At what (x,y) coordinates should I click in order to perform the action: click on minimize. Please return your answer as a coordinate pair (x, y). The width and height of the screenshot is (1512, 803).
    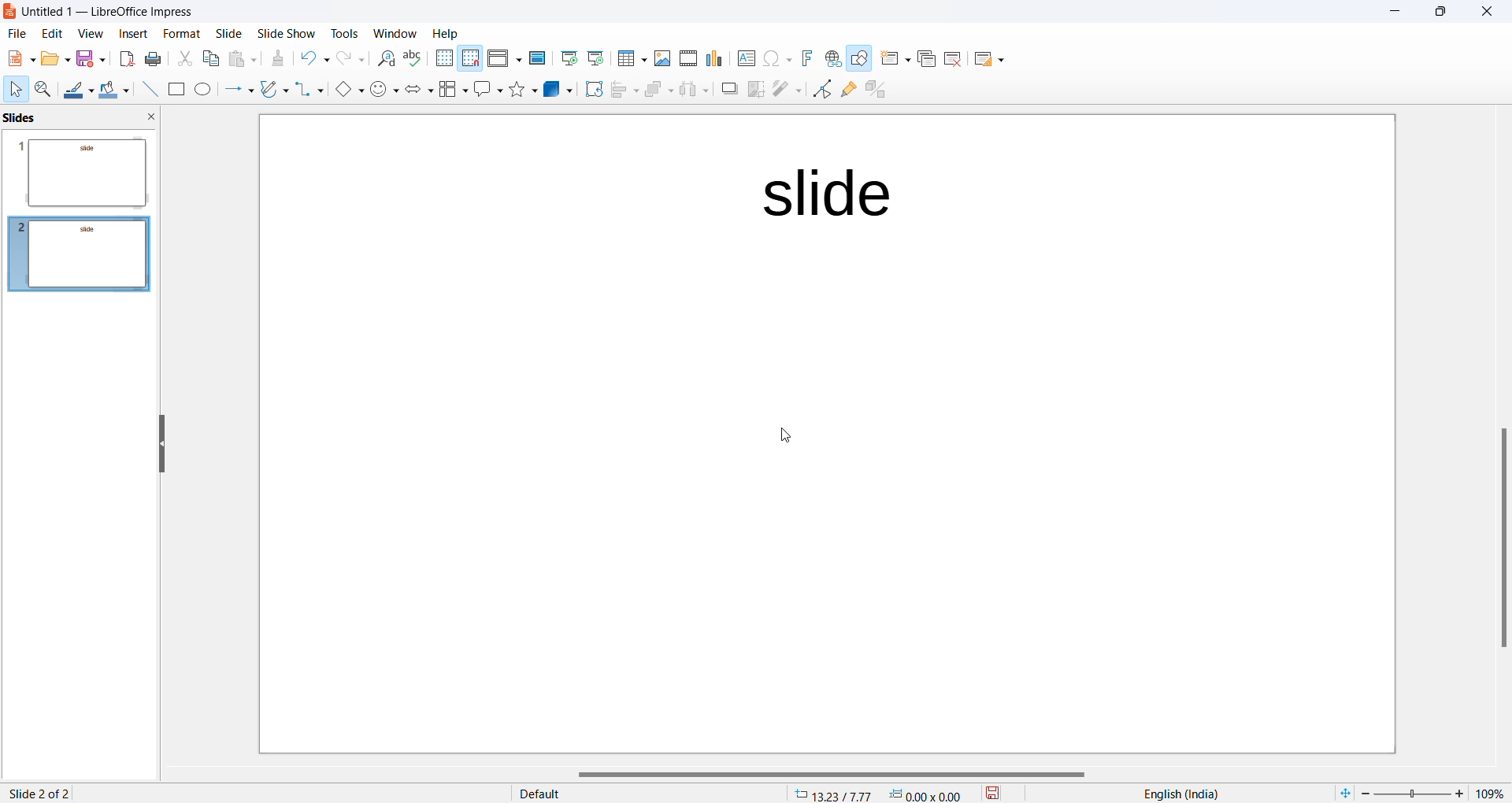
    Looking at the image, I should click on (1391, 13).